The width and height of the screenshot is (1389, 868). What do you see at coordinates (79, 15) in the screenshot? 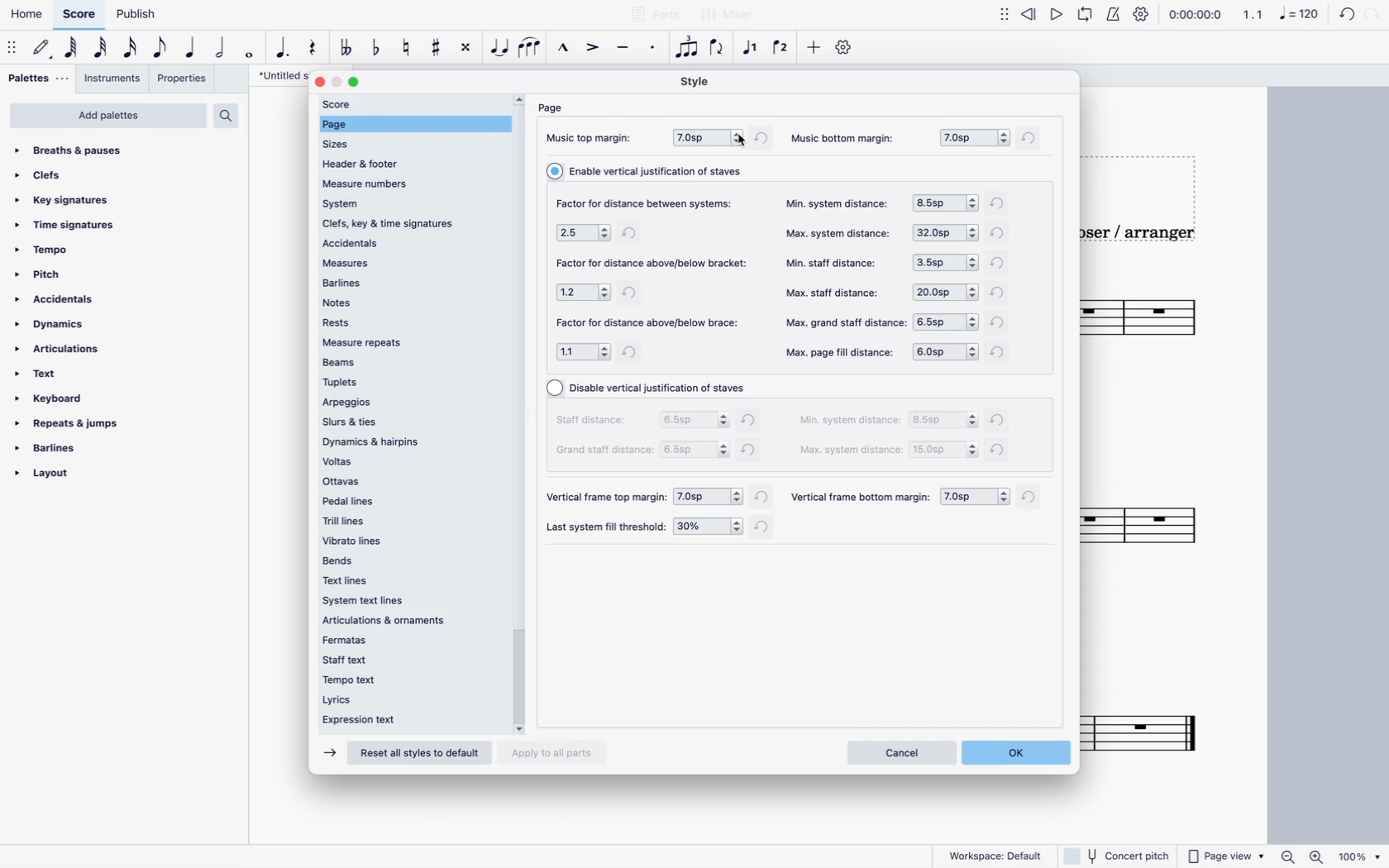
I see `score` at bounding box center [79, 15].